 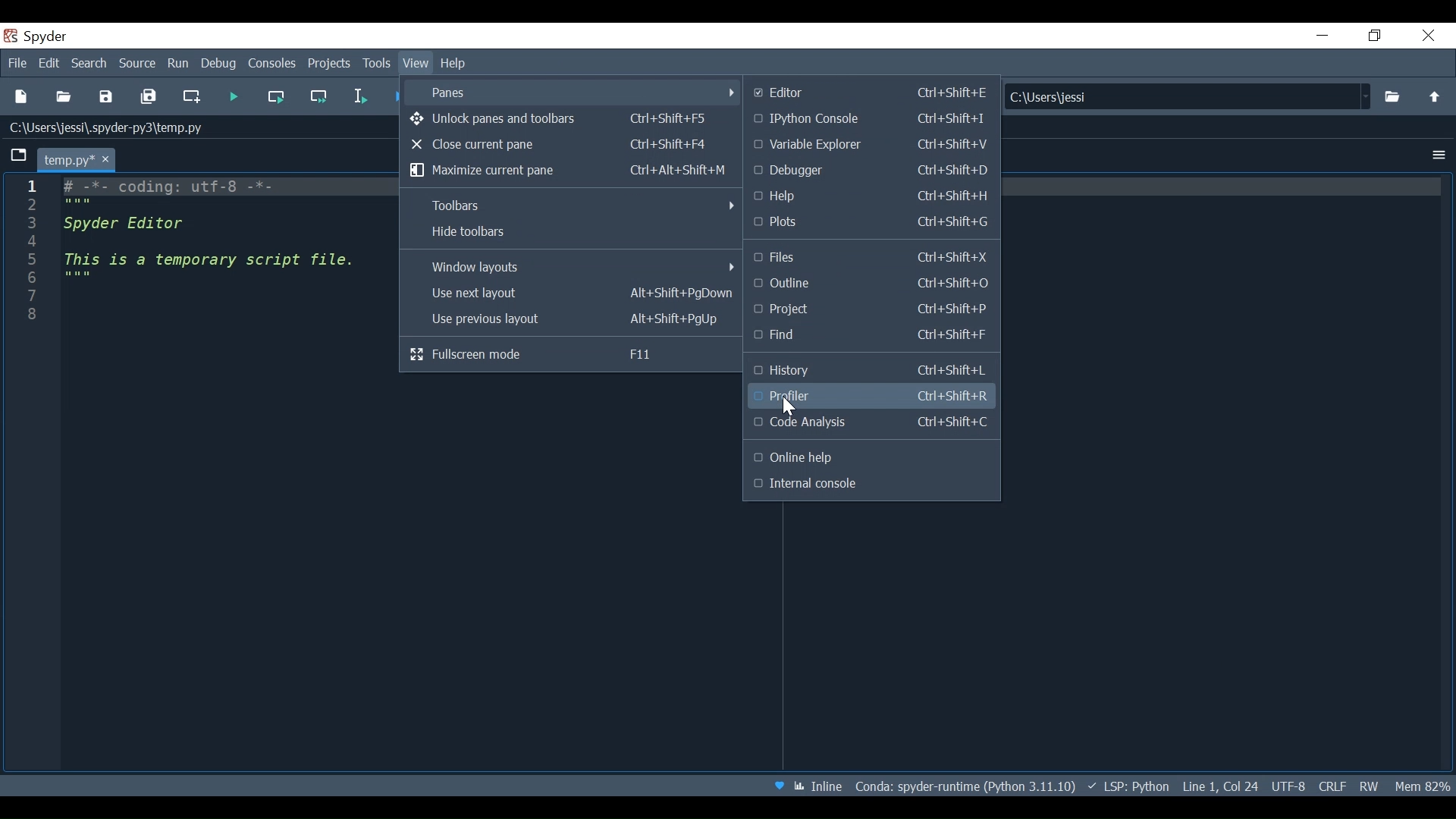 I want to click on Console, so click(x=275, y=63).